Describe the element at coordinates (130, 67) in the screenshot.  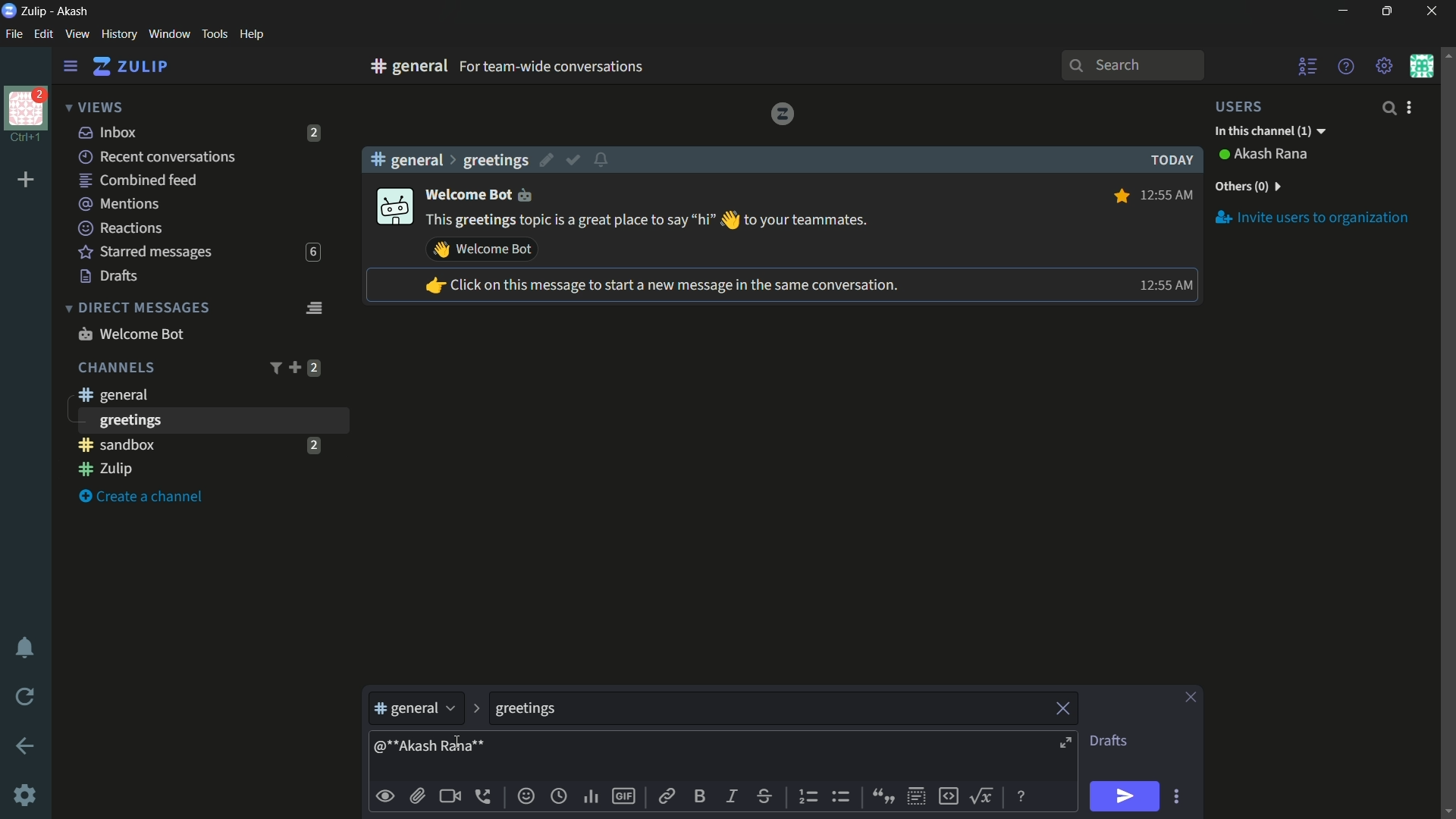
I see `zulip` at that location.